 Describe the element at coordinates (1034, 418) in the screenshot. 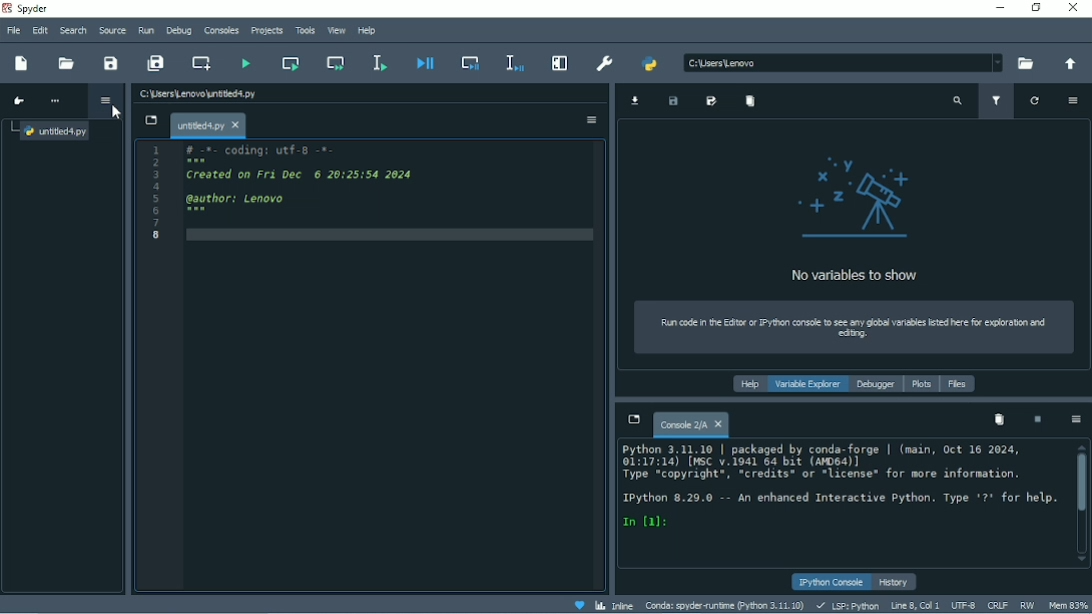

I see `Interrupt kernel` at that location.